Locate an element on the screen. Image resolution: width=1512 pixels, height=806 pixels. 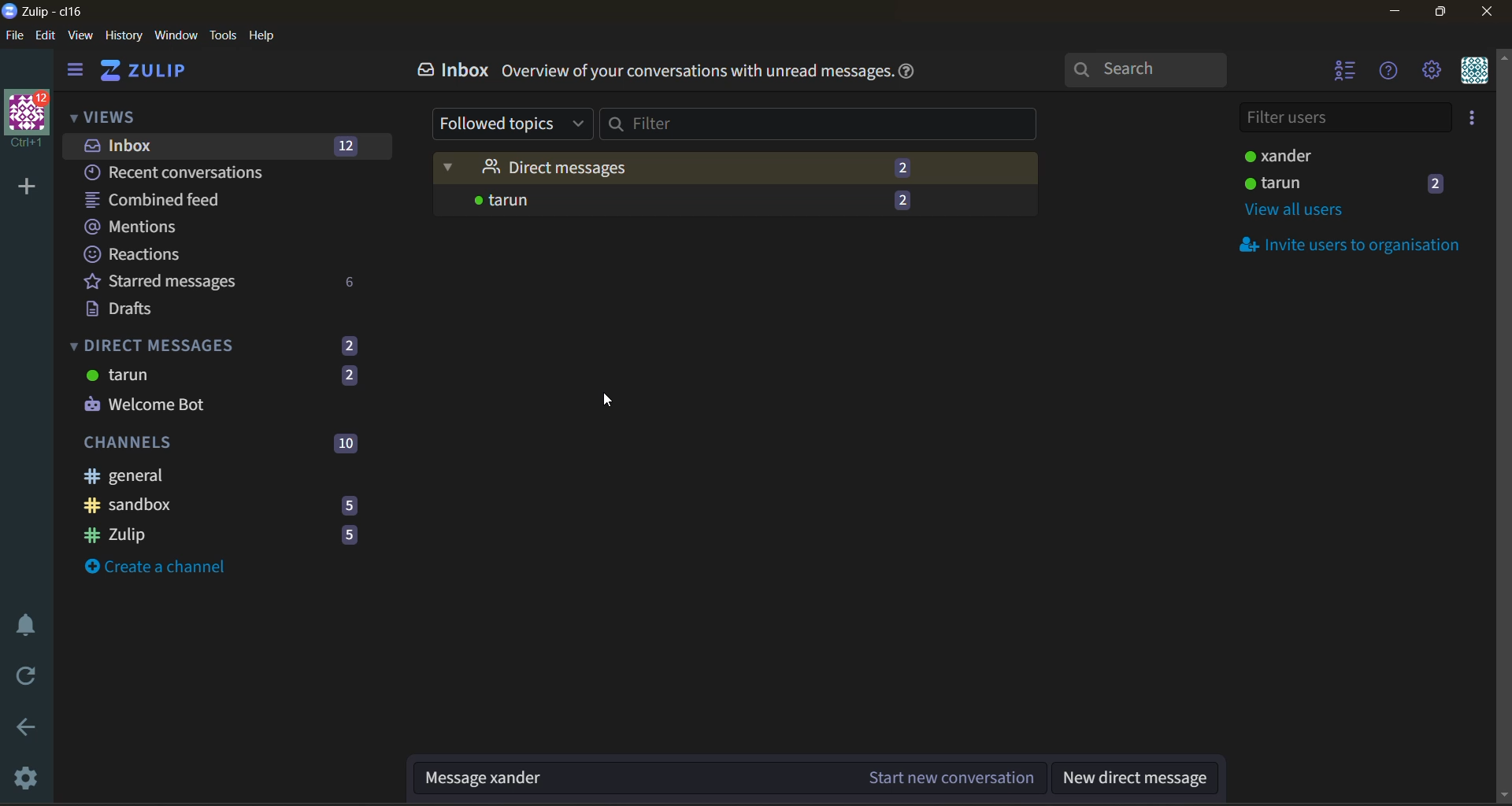
general stream messages all read is located at coordinates (213, 477).